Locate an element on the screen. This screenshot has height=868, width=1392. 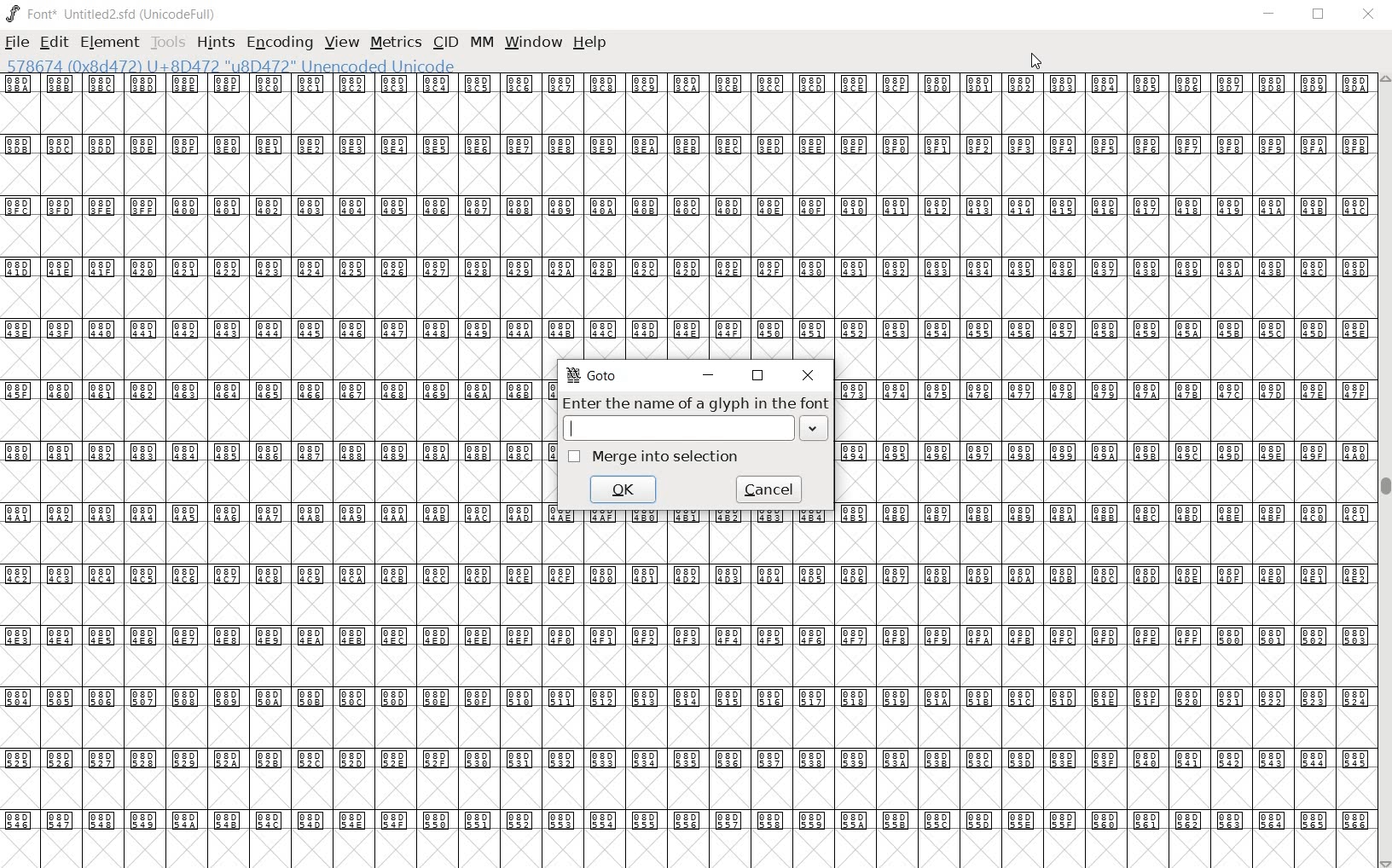
file is located at coordinates (18, 42).